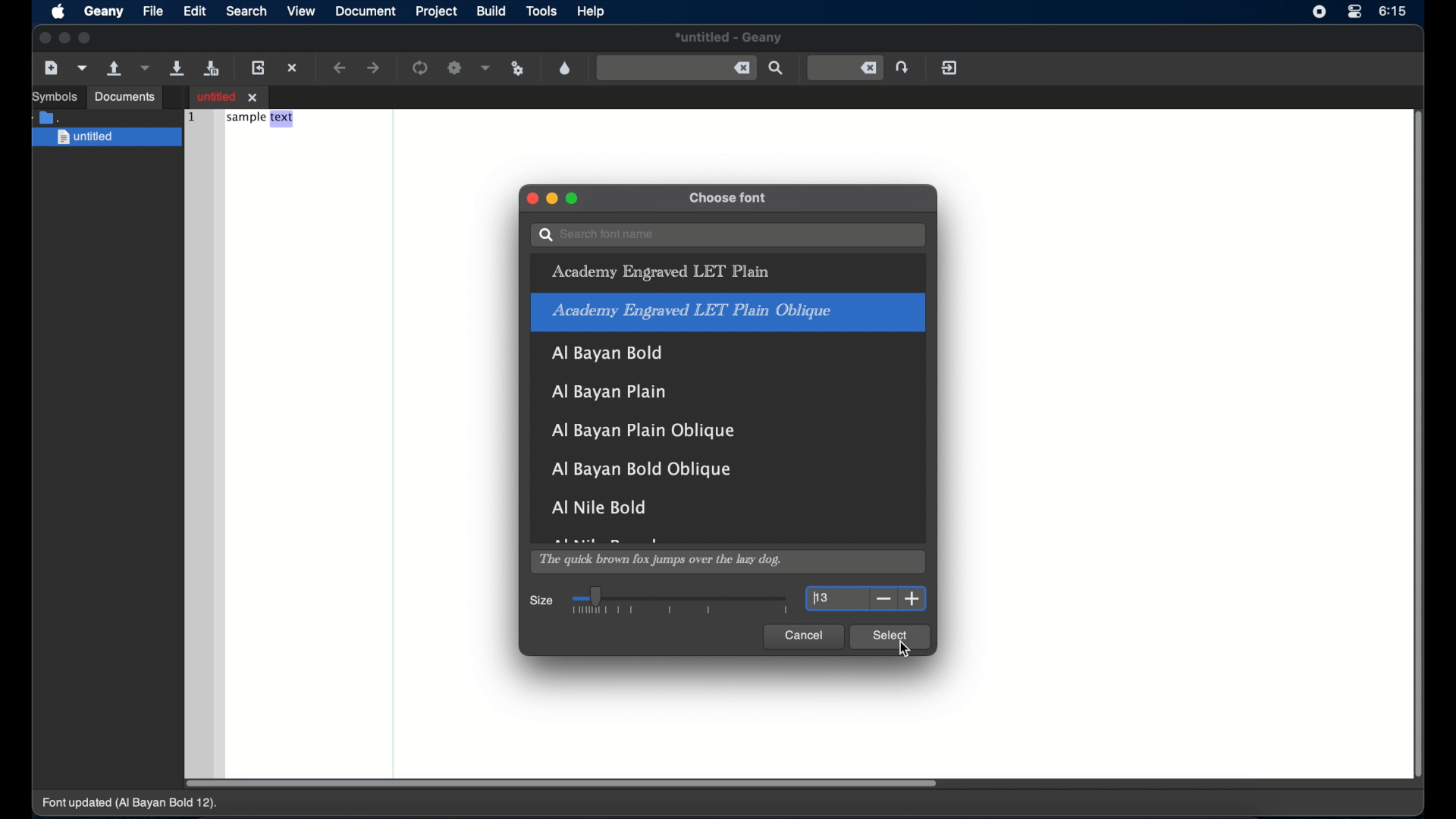 This screenshot has width=1456, height=819. I want to click on jump to entered line number, so click(905, 67).